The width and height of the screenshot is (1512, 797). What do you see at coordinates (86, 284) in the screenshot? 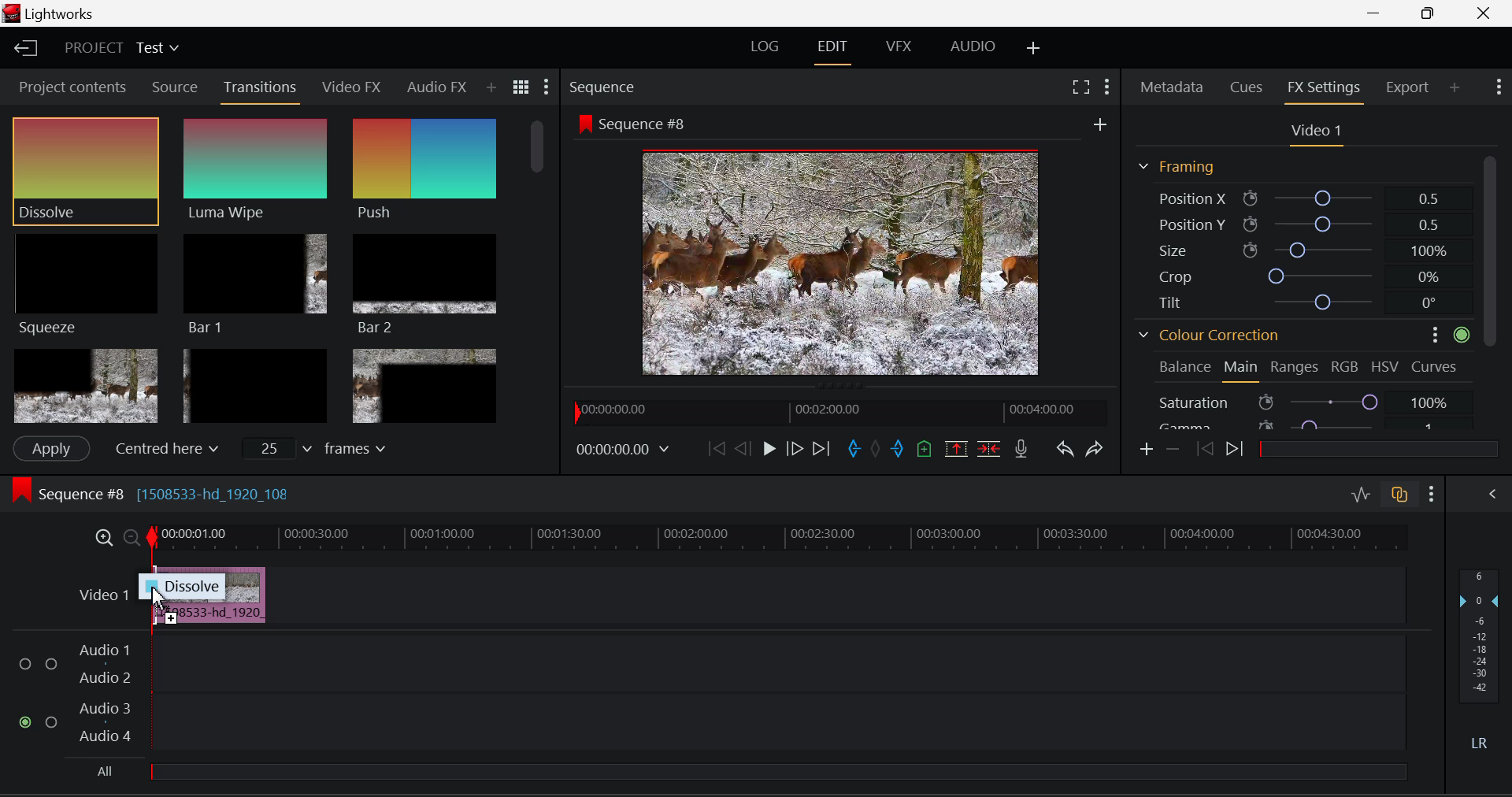
I see `Squeeze` at bounding box center [86, 284].